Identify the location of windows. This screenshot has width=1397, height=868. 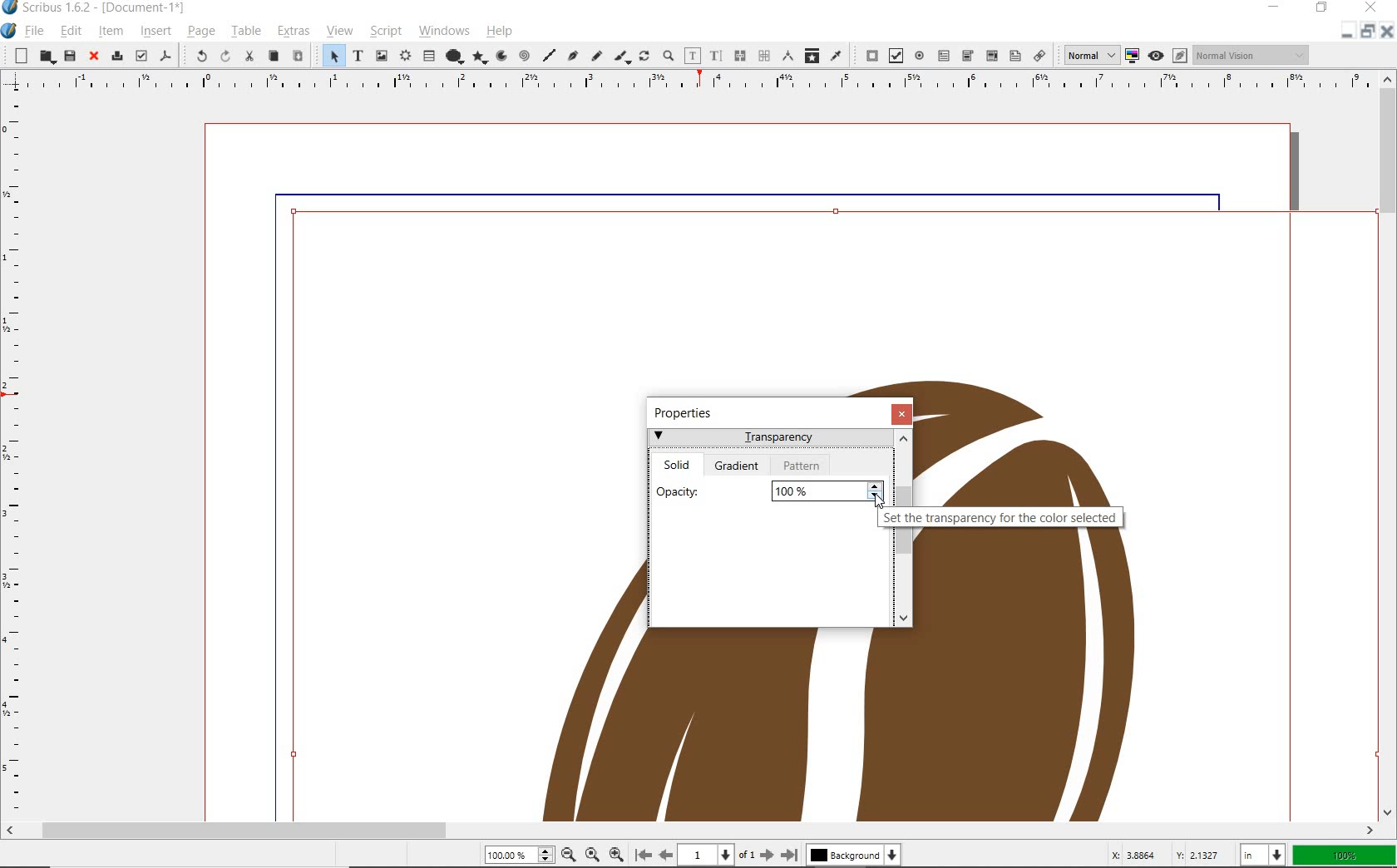
(443, 30).